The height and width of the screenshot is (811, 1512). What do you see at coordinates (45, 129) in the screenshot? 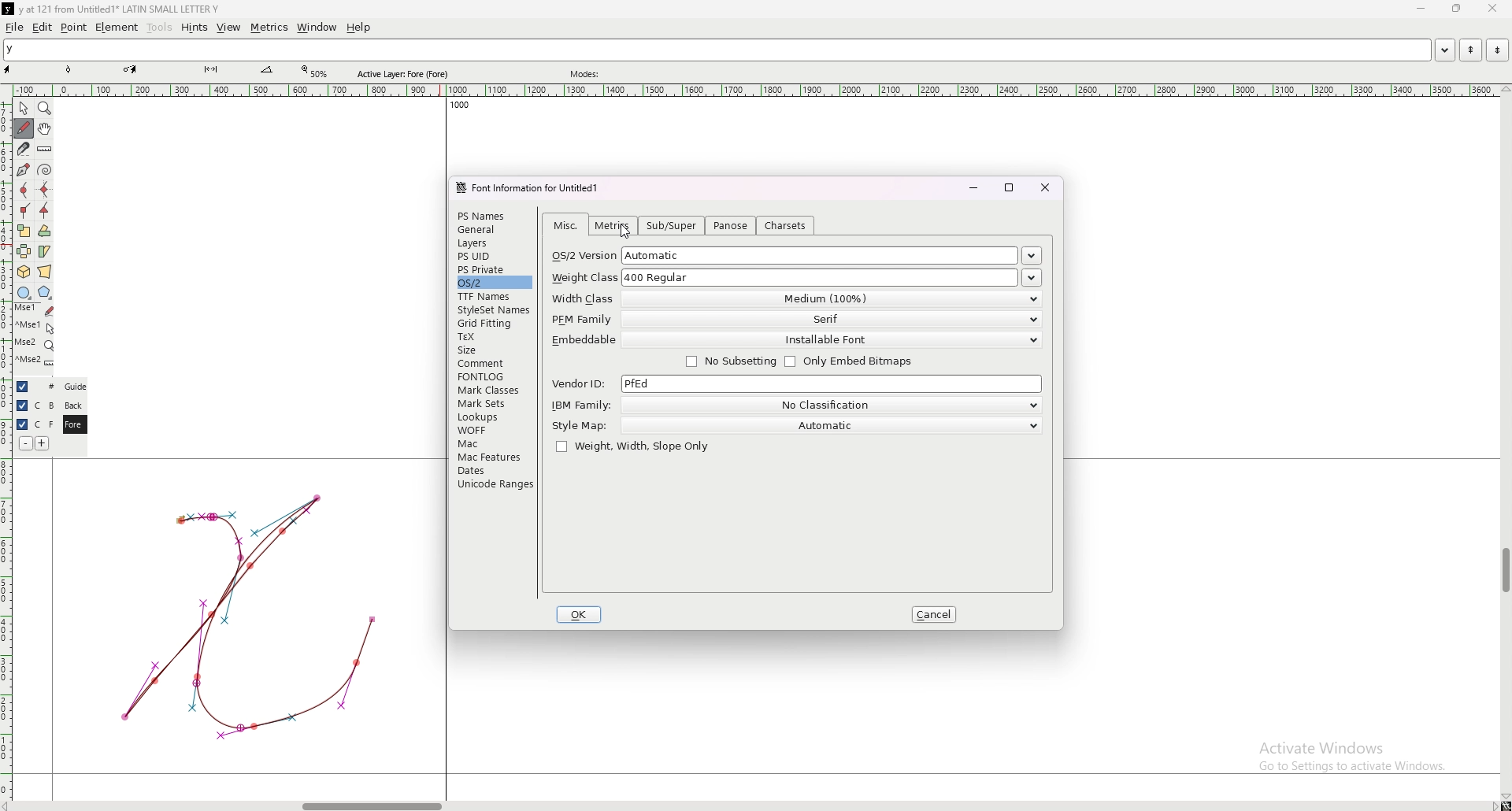
I see `scroll by hand` at bounding box center [45, 129].